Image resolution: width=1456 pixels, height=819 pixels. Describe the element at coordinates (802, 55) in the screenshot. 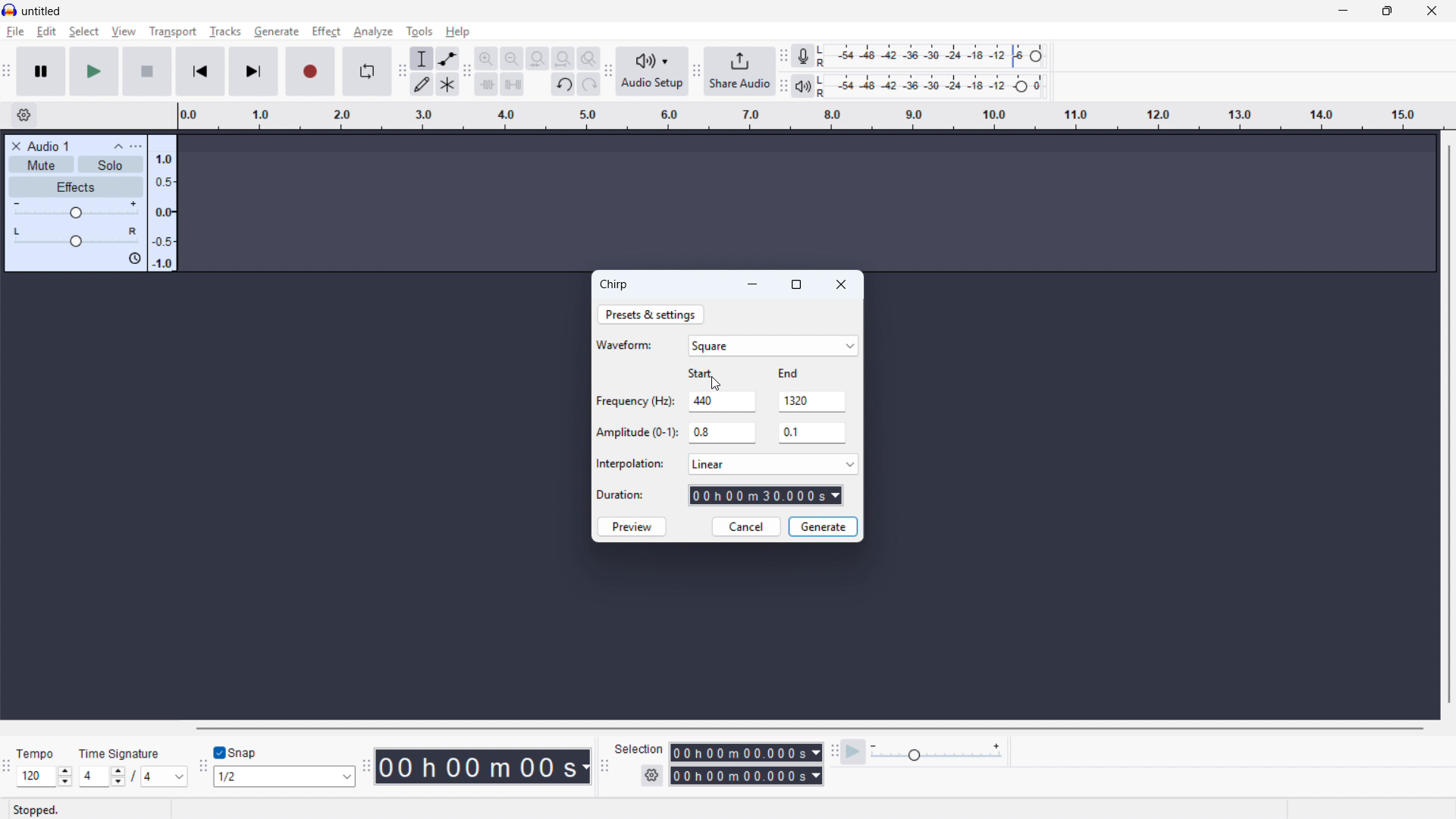

I see `Recording metre ` at that location.